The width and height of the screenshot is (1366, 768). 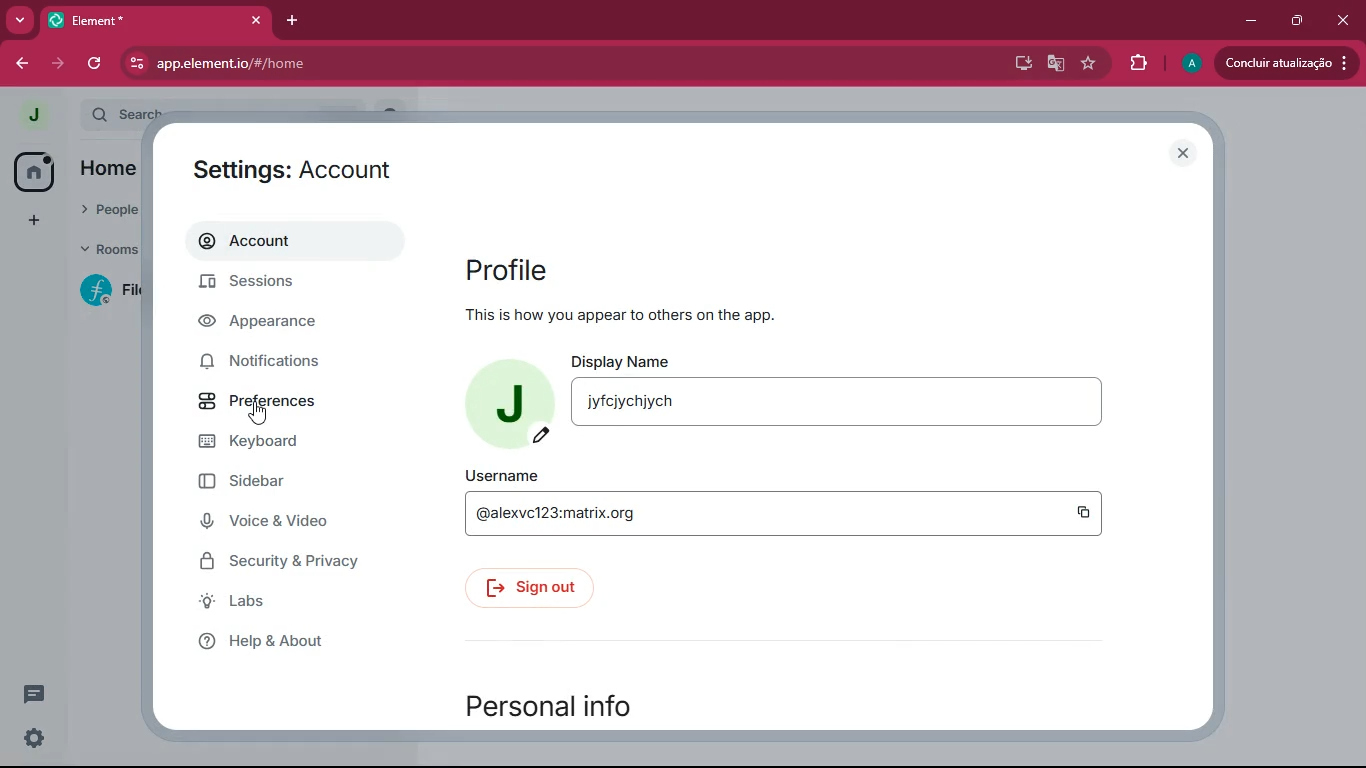 What do you see at coordinates (282, 641) in the screenshot?
I see `help` at bounding box center [282, 641].